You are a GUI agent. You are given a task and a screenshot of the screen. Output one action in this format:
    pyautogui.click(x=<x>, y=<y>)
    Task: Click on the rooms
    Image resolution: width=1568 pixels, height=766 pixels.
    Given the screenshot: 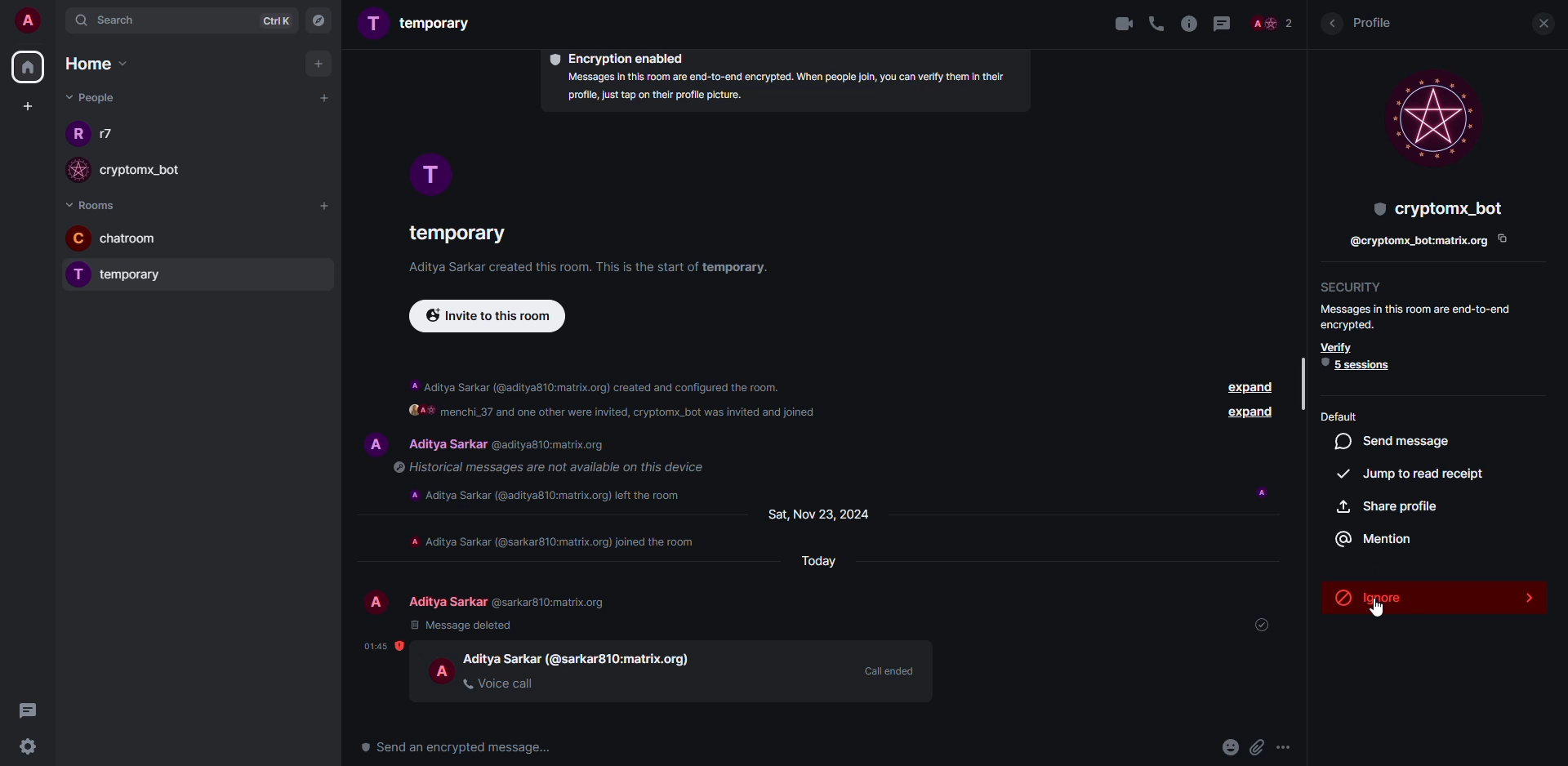 What is the action you would take?
    pyautogui.click(x=96, y=204)
    